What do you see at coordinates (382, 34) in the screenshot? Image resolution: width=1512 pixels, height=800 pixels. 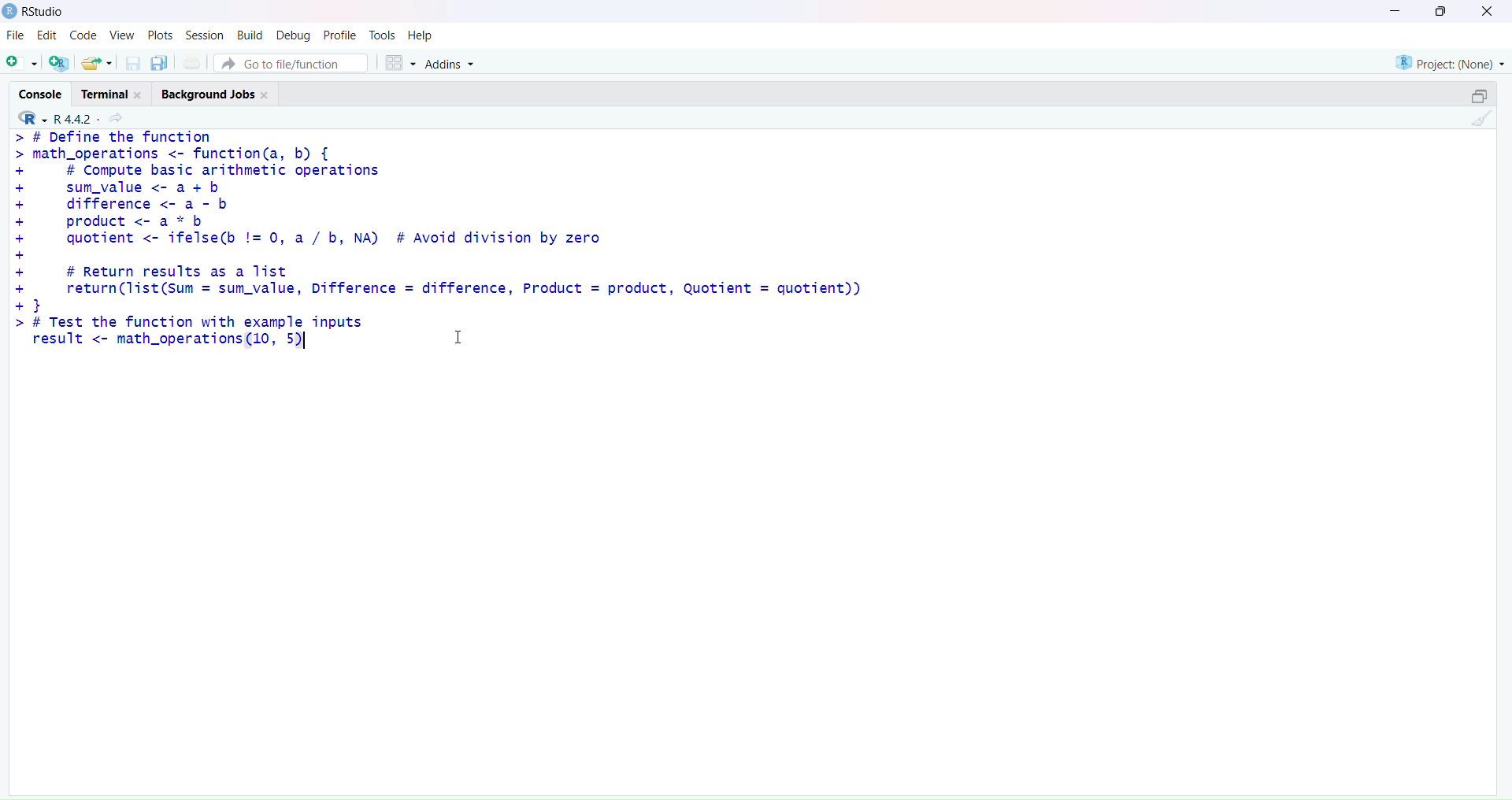 I see `Tasks` at bounding box center [382, 34].